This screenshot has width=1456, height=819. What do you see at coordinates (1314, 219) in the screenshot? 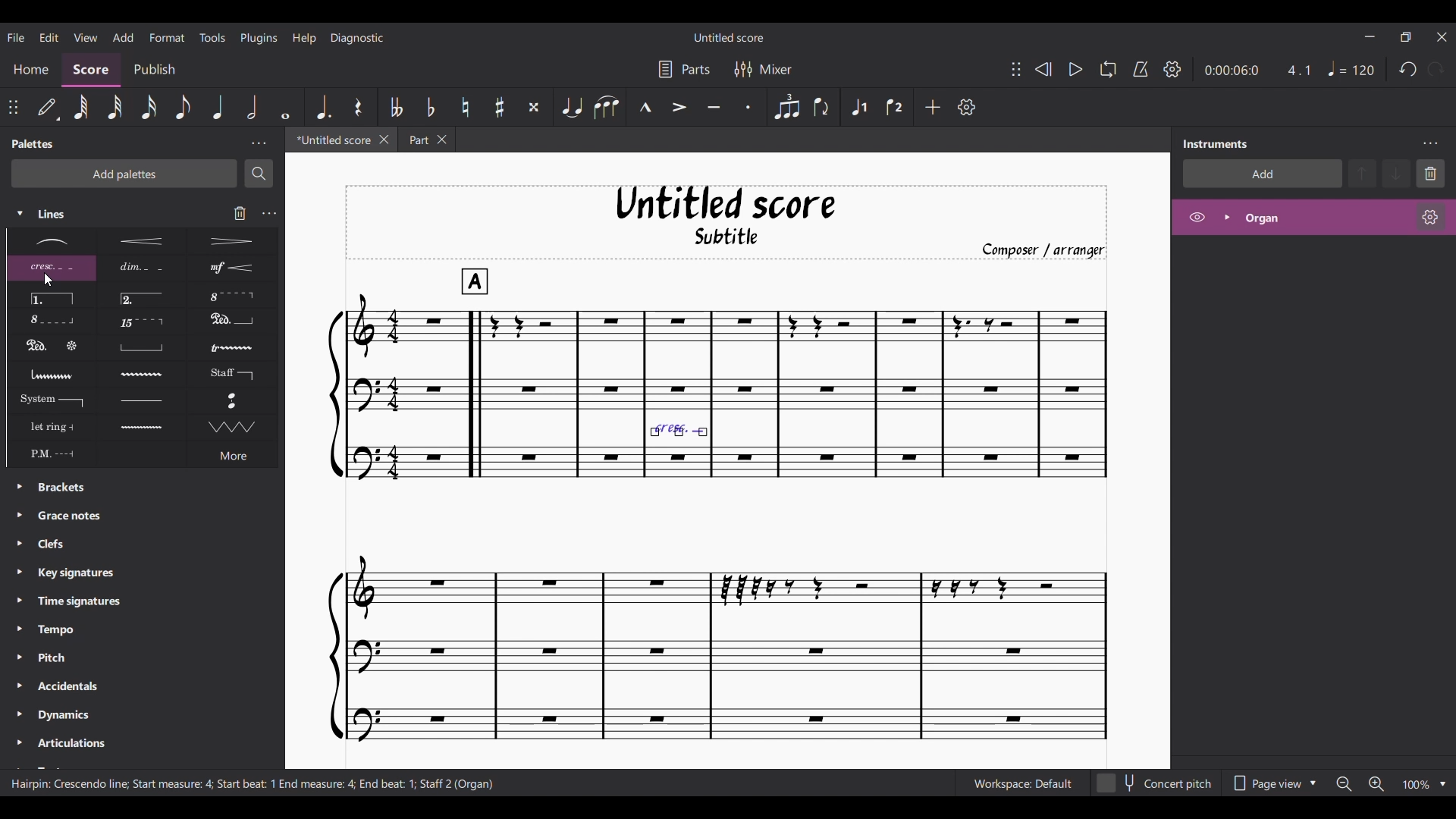
I see `opem` at bounding box center [1314, 219].